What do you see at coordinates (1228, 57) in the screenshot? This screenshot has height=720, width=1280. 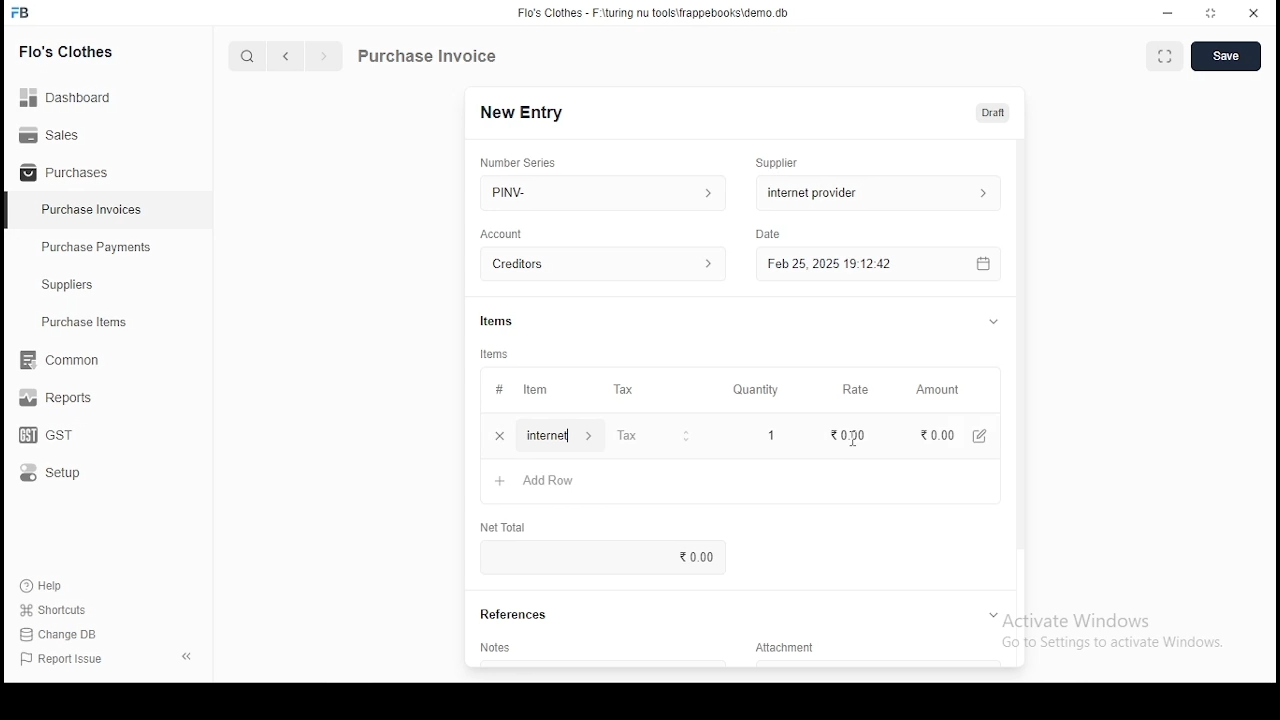 I see `create` at bounding box center [1228, 57].